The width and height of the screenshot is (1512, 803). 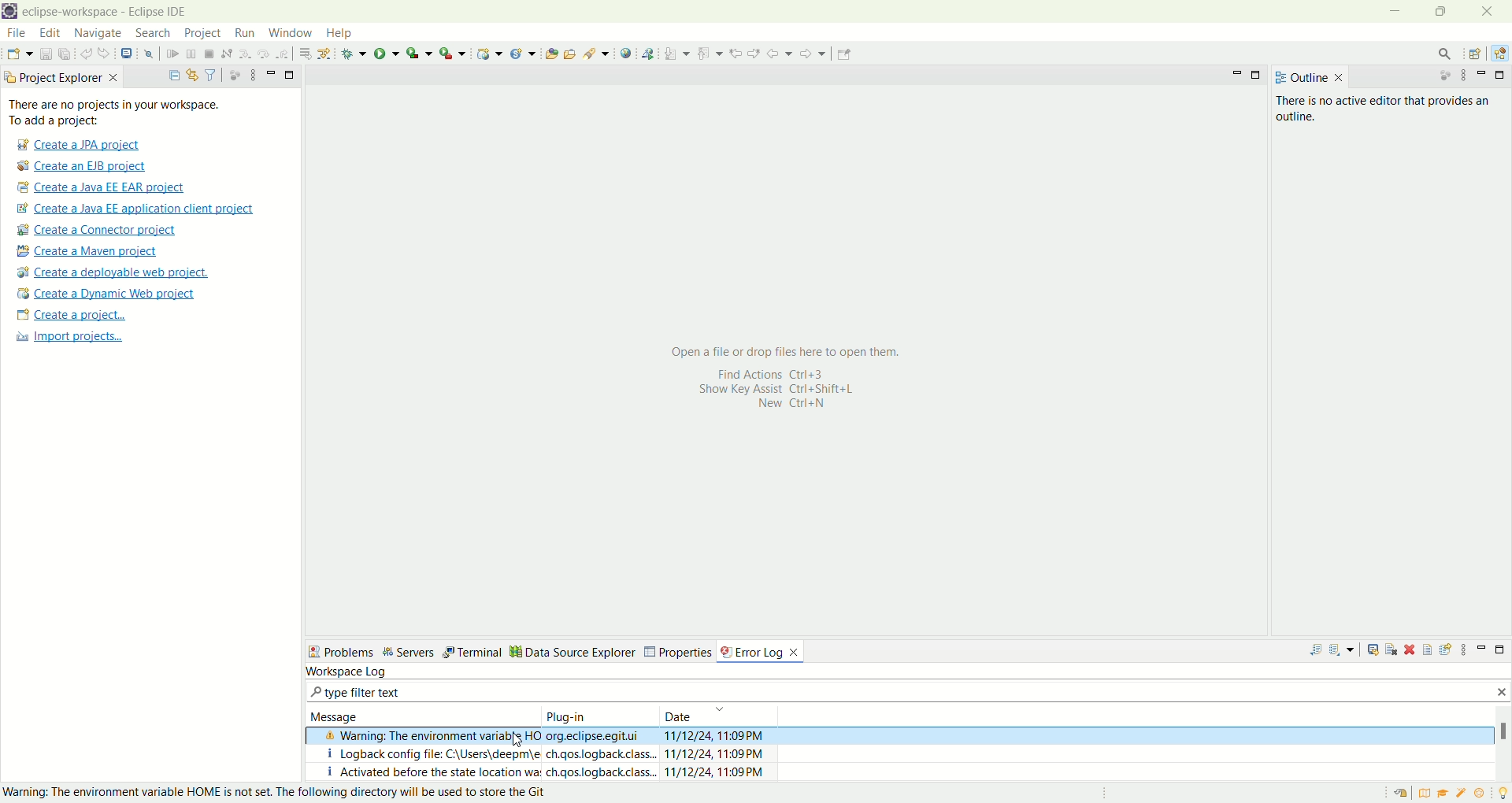 I want to click on forward, so click(x=813, y=52).